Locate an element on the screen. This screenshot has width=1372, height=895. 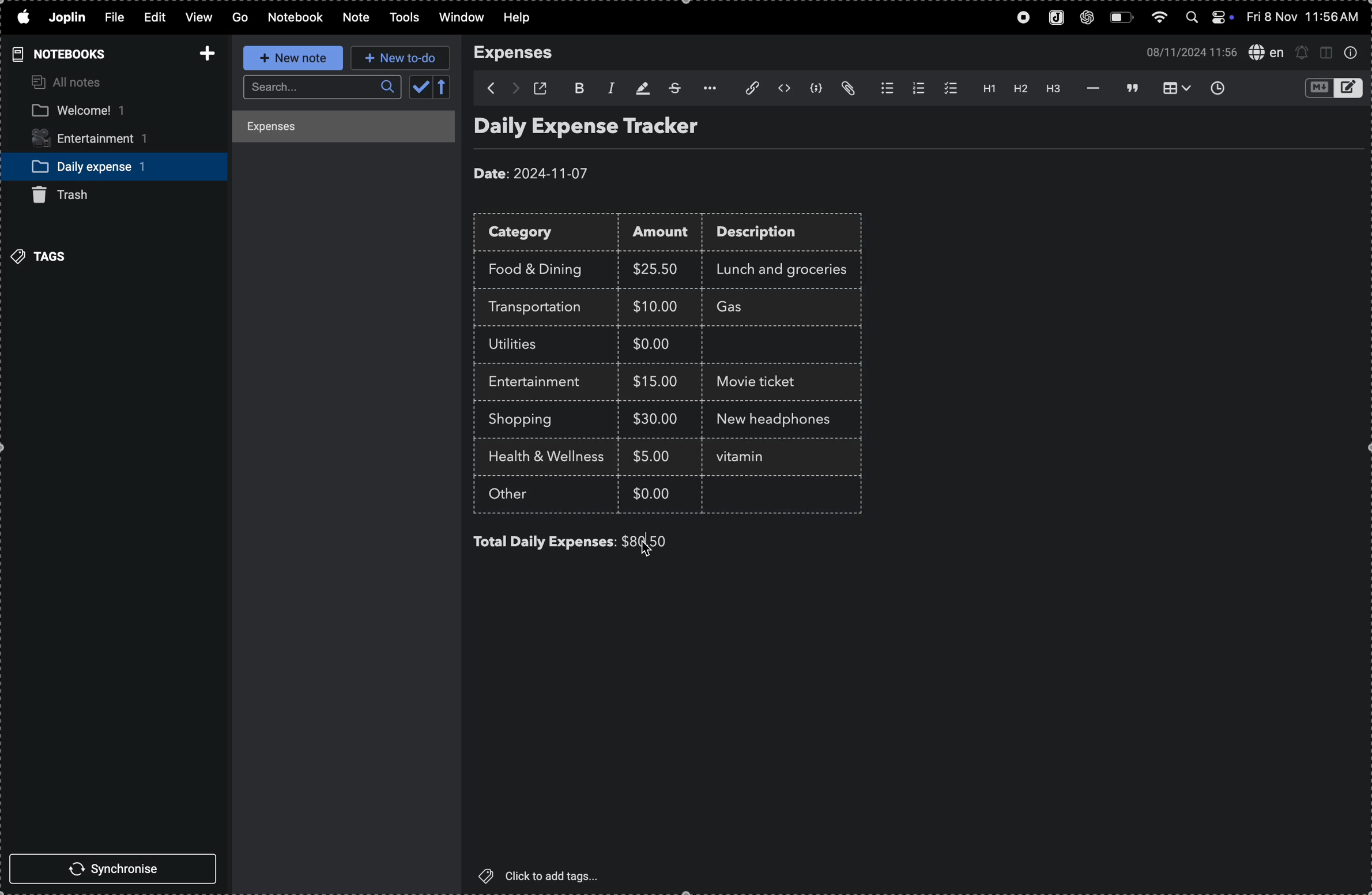
joplin is located at coordinates (1053, 18).